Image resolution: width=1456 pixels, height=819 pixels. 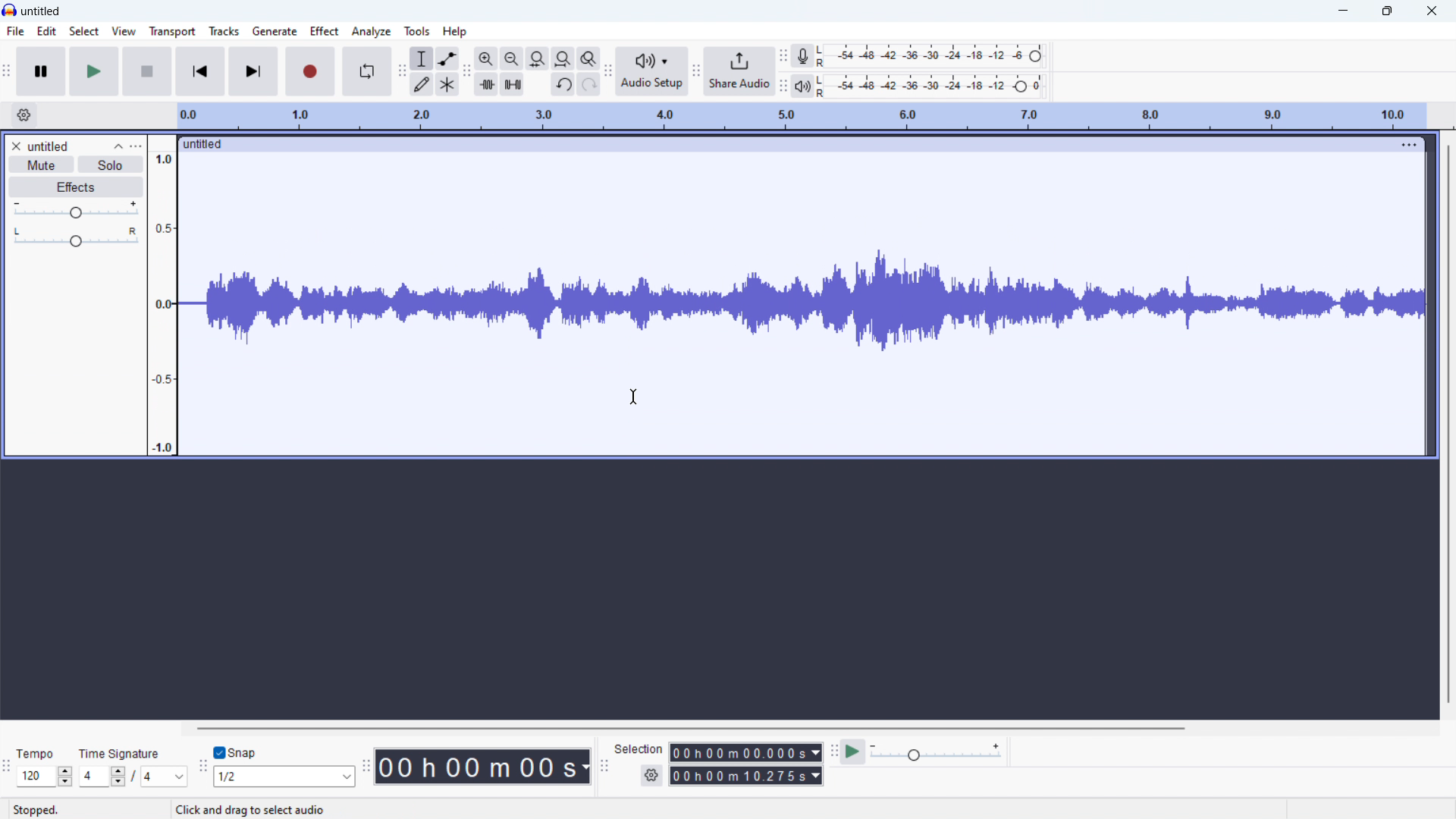 What do you see at coordinates (447, 84) in the screenshot?
I see `multi tool` at bounding box center [447, 84].